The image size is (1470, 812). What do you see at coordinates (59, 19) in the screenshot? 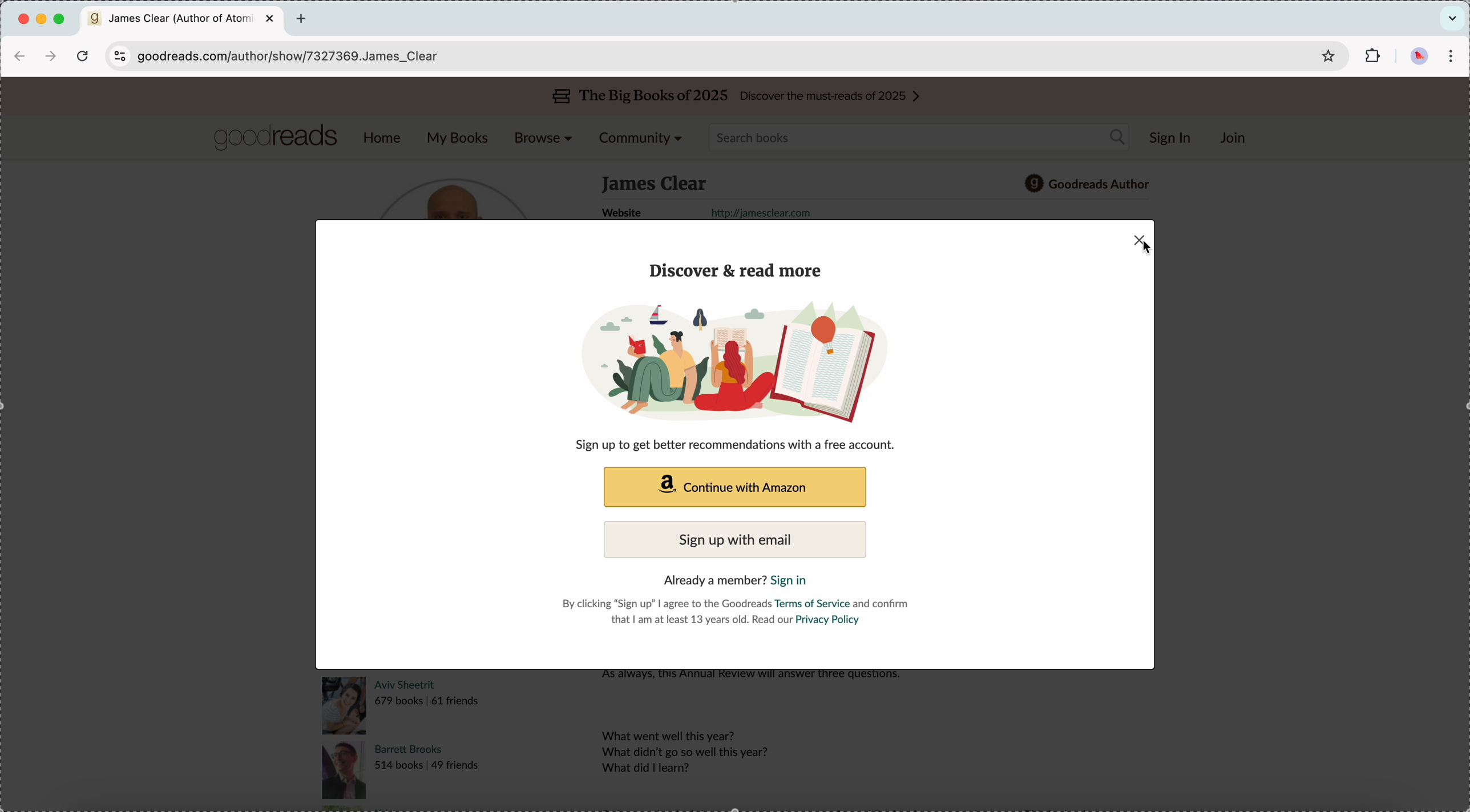
I see `maximize Chrome` at bounding box center [59, 19].